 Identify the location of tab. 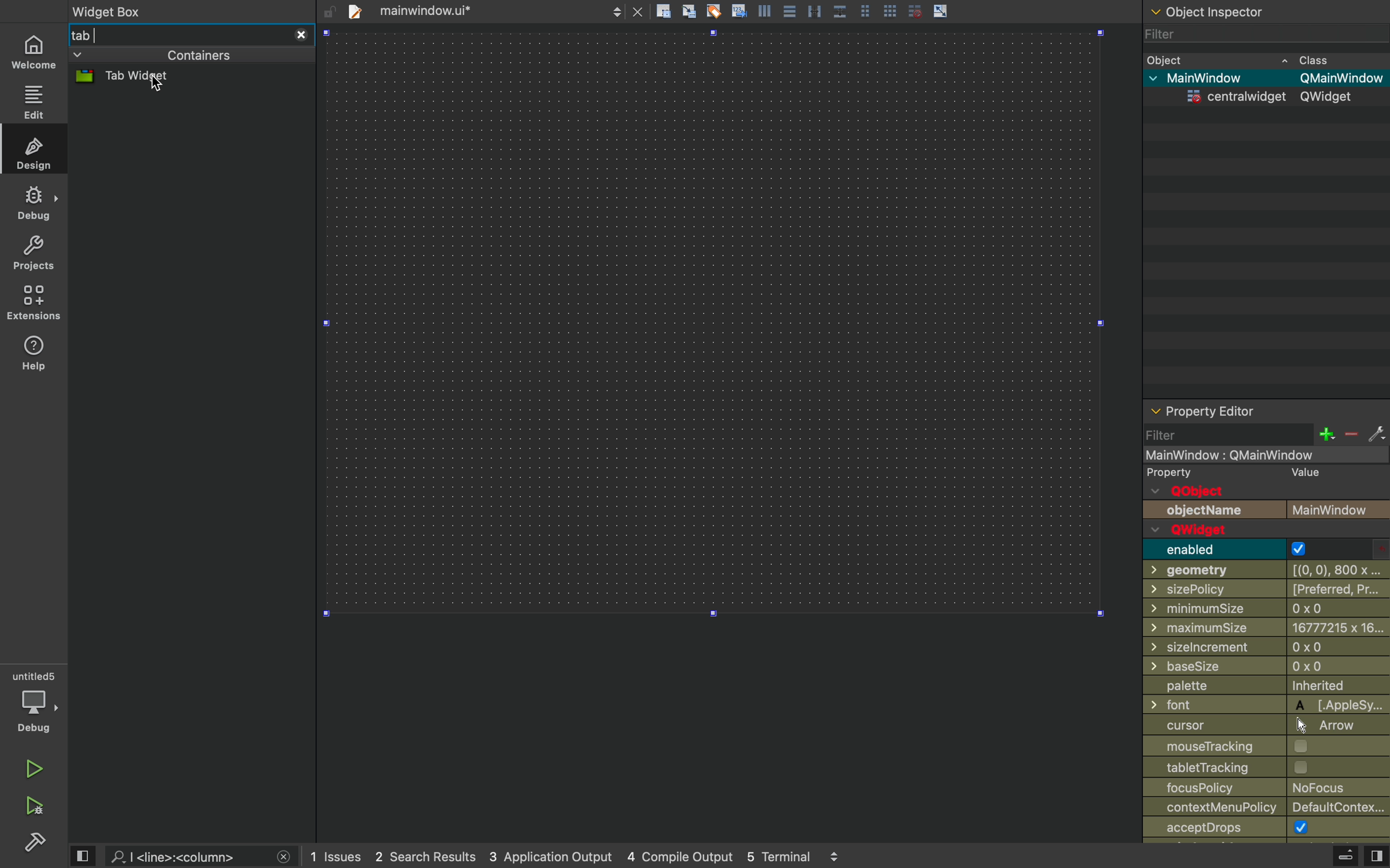
(175, 34).